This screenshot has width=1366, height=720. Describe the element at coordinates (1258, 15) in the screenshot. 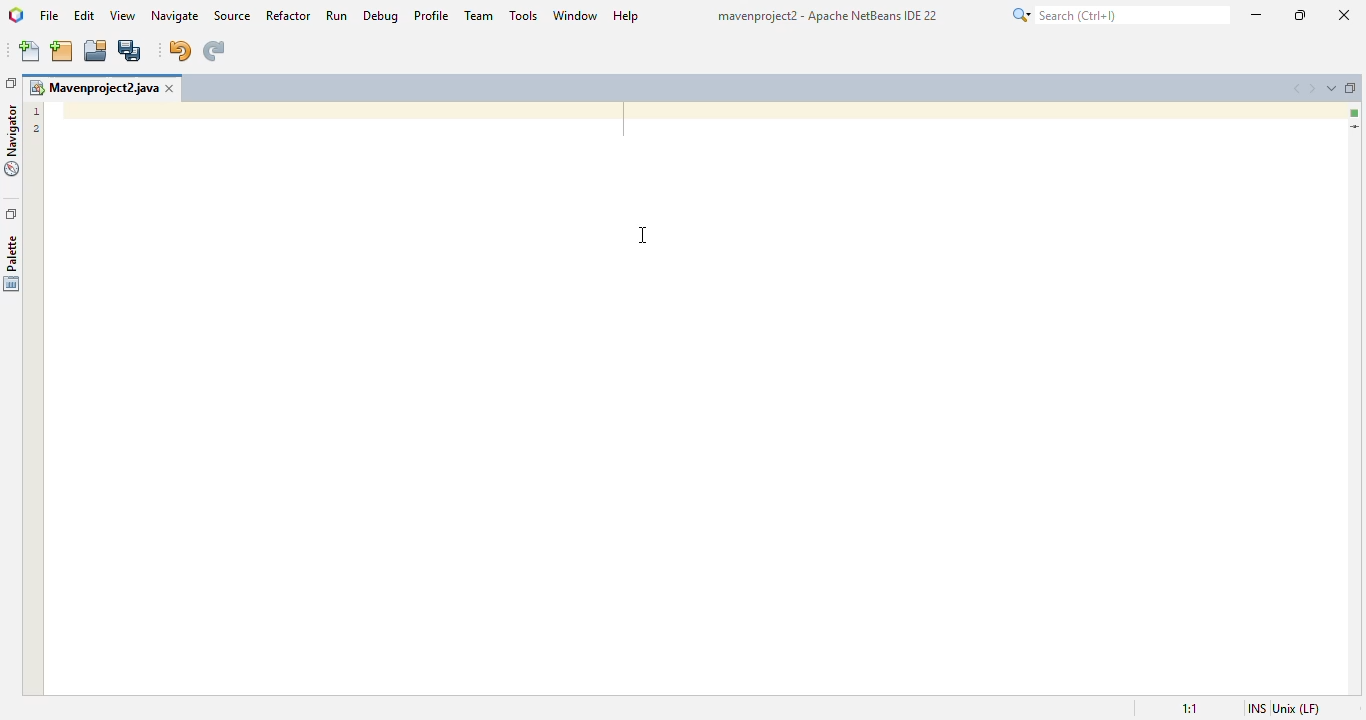

I see `minimize` at that location.